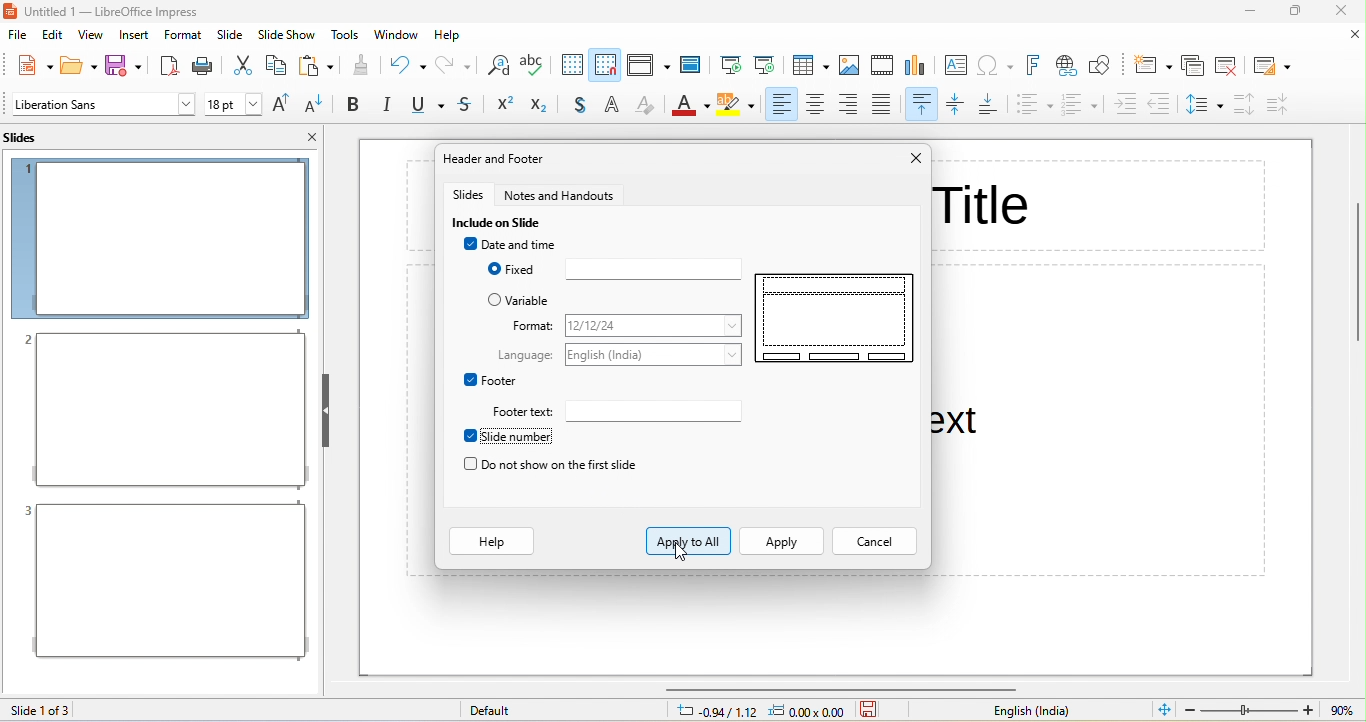 This screenshot has height=722, width=1366. What do you see at coordinates (870, 712) in the screenshot?
I see `click to save the document` at bounding box center [870, 712].